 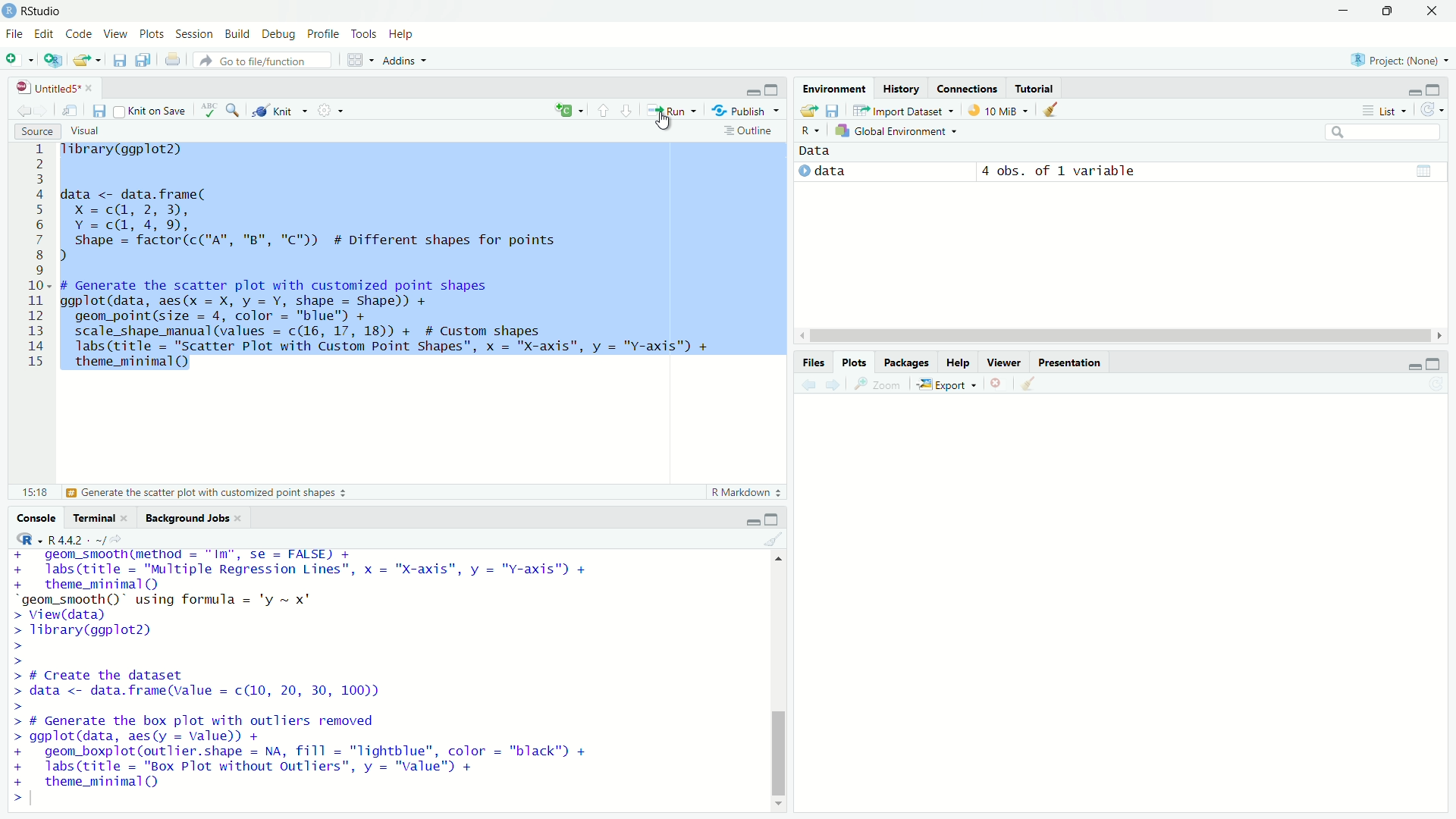 What do you see at coordinates (33, 492) in the screenshot?
I see `9:1` at bounding box center [33, 492].